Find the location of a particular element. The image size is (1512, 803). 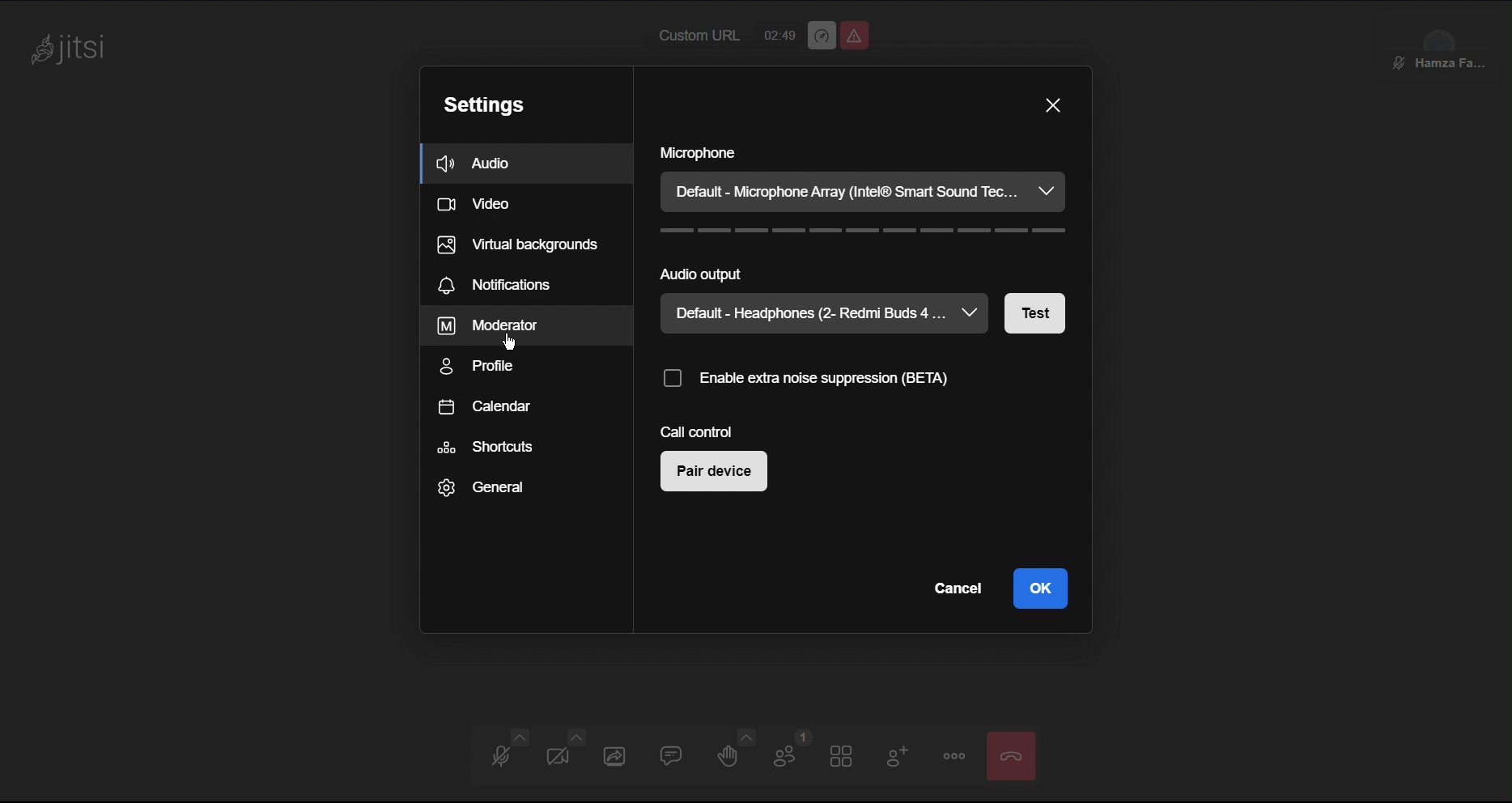

Share screen is located at coordinates (614, 755).